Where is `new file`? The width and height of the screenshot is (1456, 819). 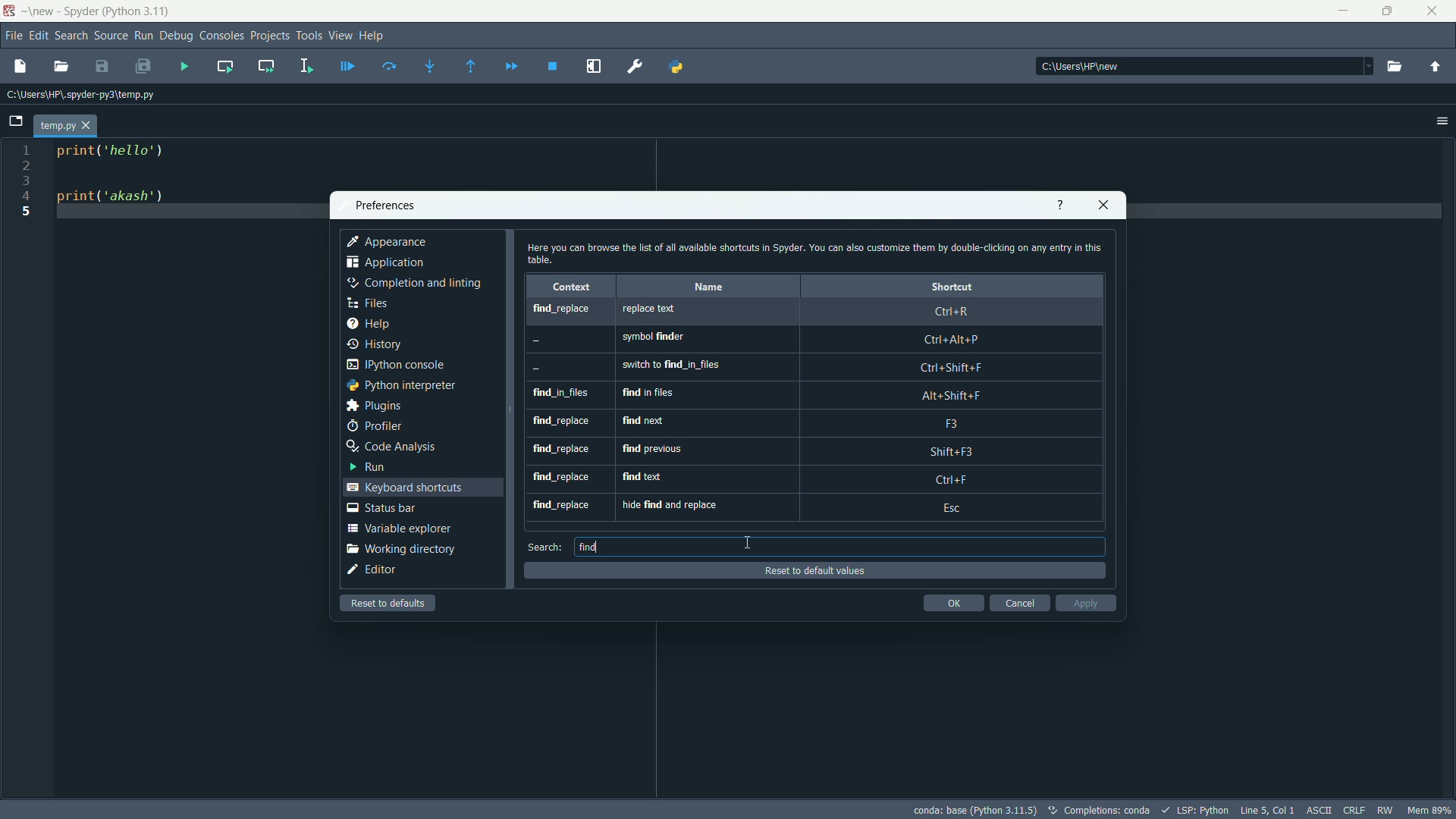
new file is located at coordinates (20, 65).